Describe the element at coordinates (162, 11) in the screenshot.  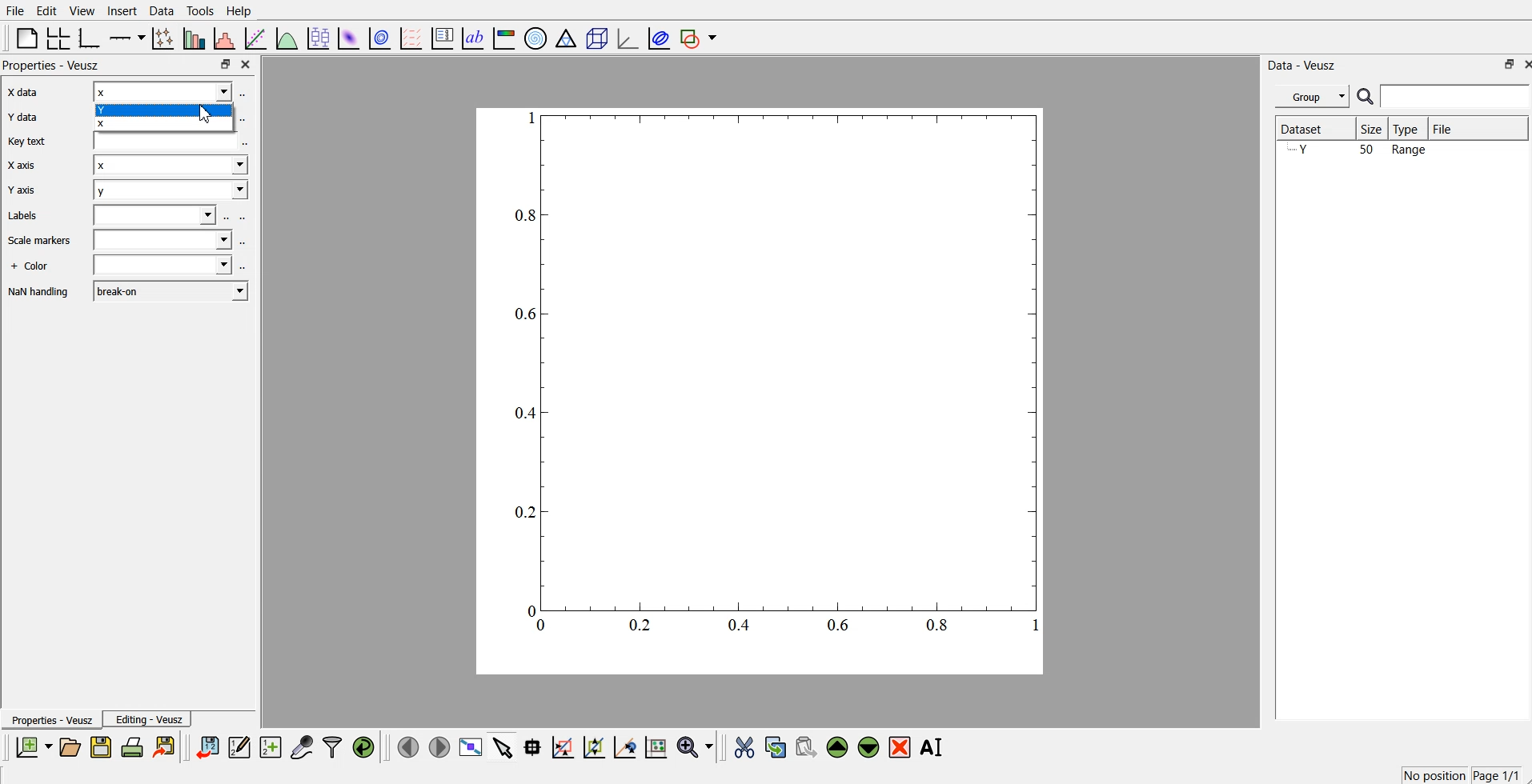
I see `Data` at that location.